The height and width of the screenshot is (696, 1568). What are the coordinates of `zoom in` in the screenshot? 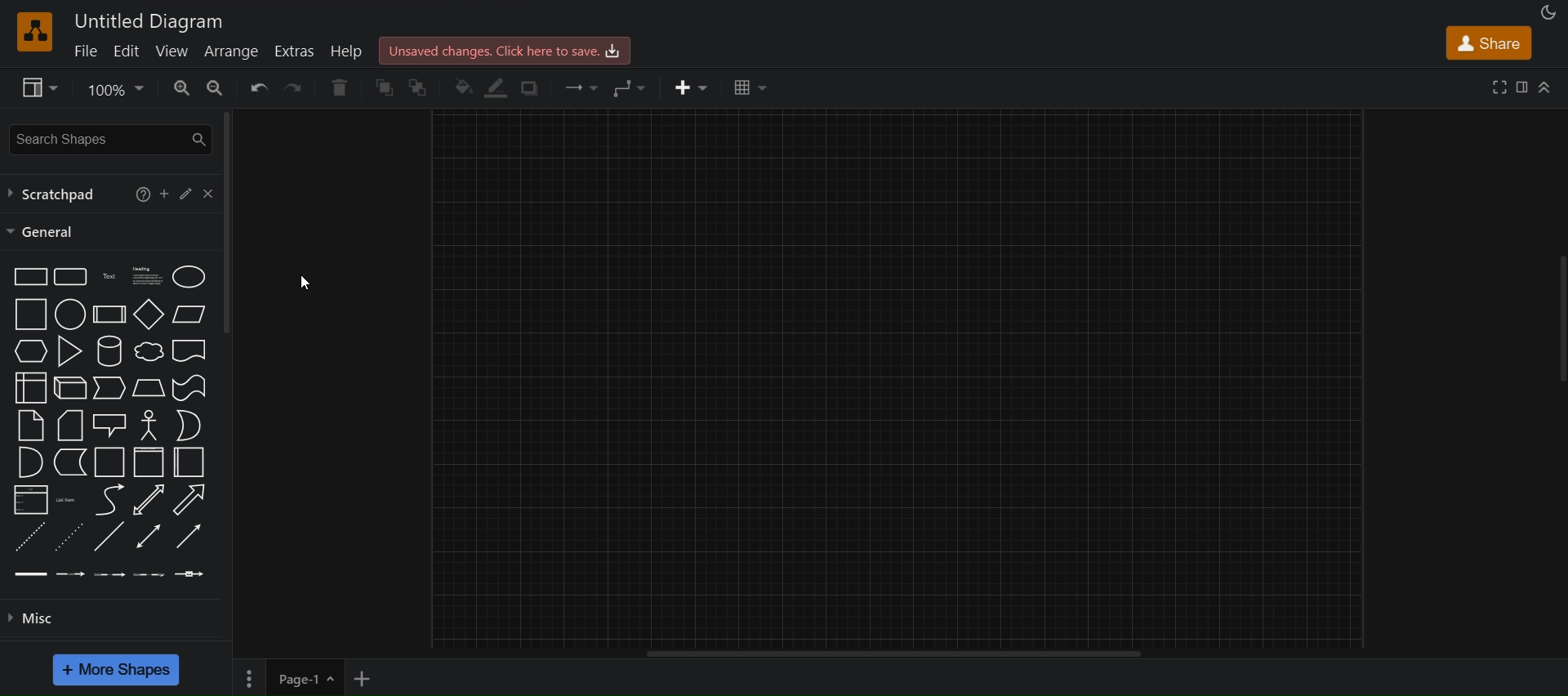 It's located at (178, 88).